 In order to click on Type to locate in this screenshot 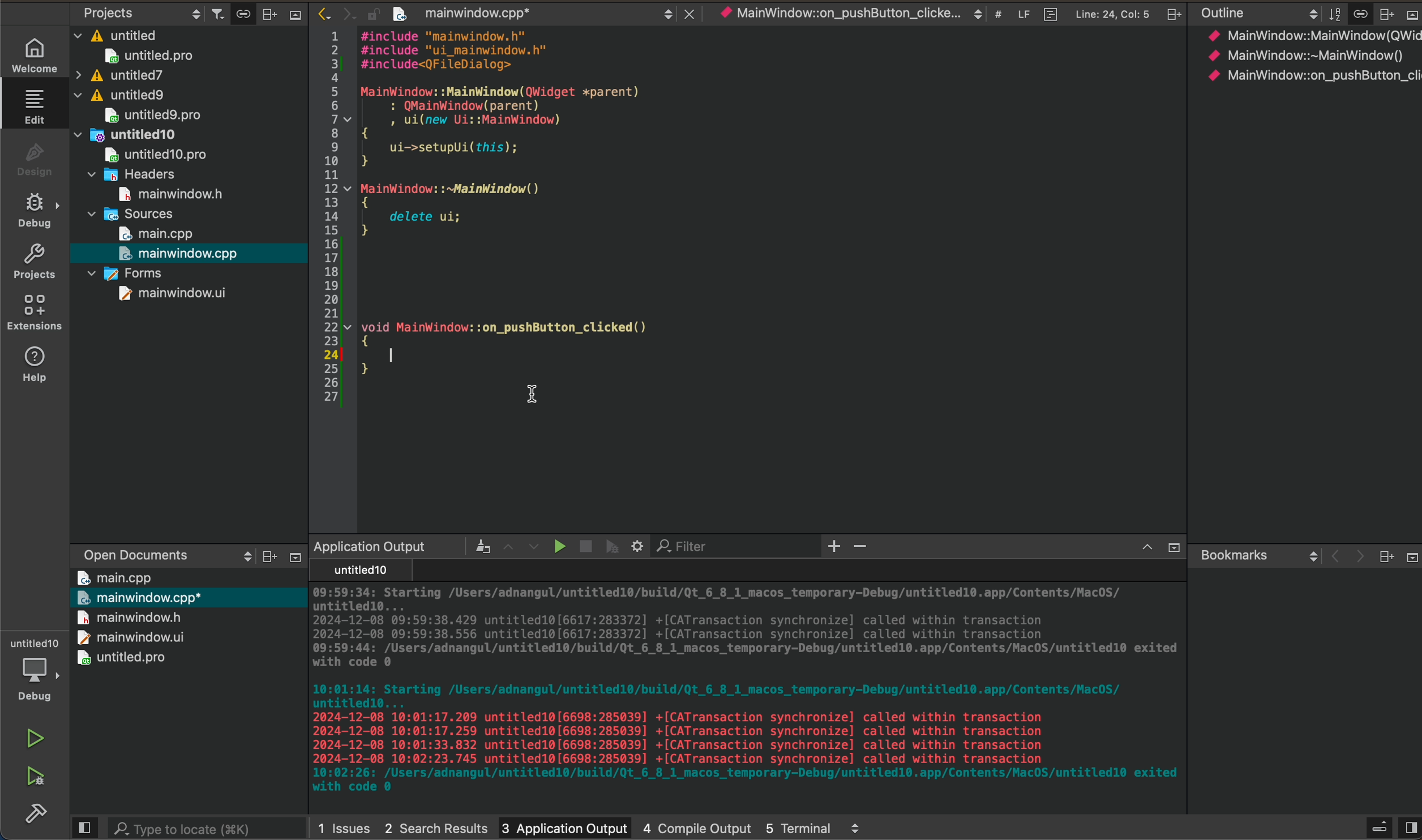, I will do `click(185, 826)`.